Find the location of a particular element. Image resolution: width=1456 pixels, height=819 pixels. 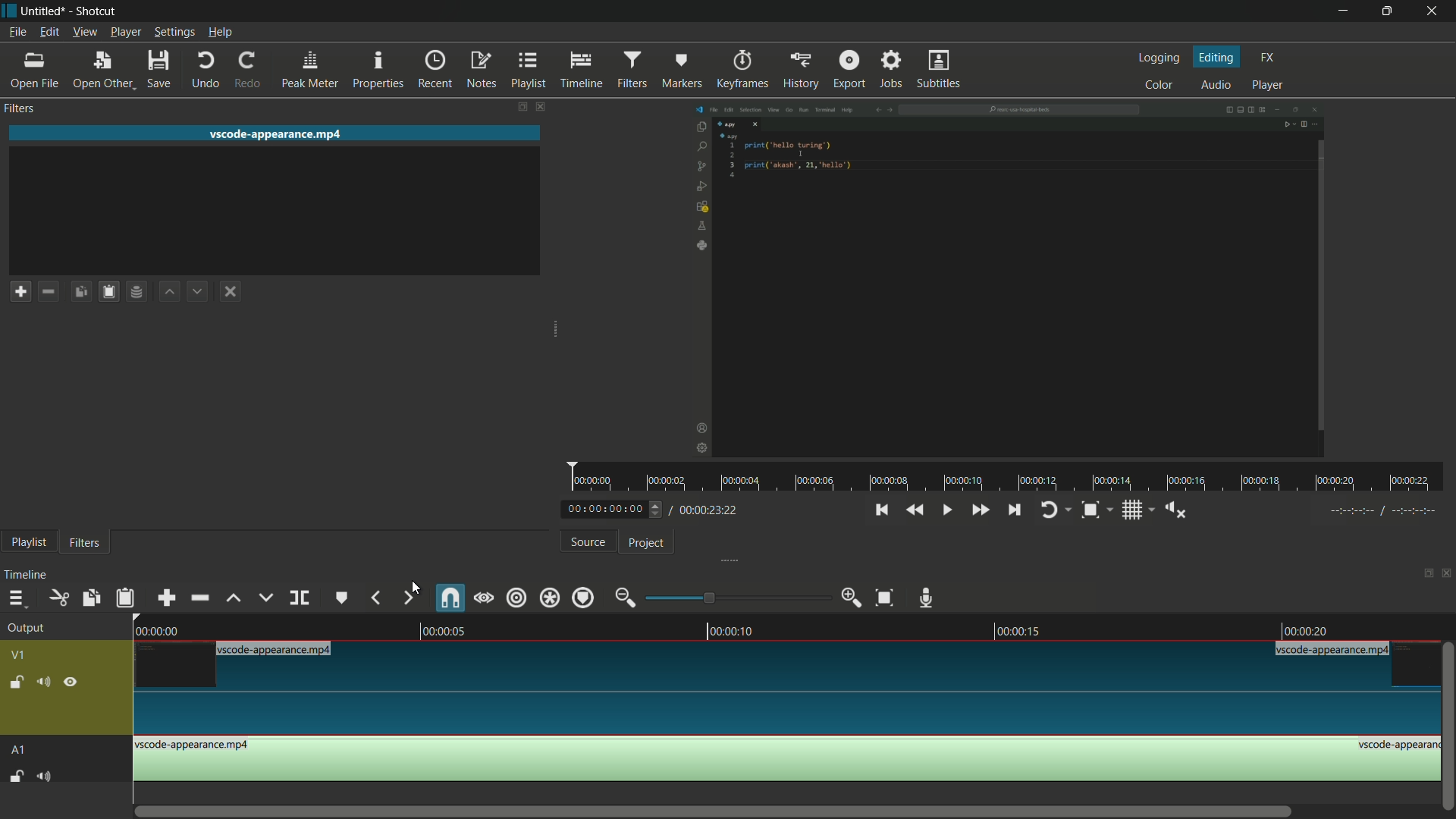

color is located at coordinates (1158, 83).